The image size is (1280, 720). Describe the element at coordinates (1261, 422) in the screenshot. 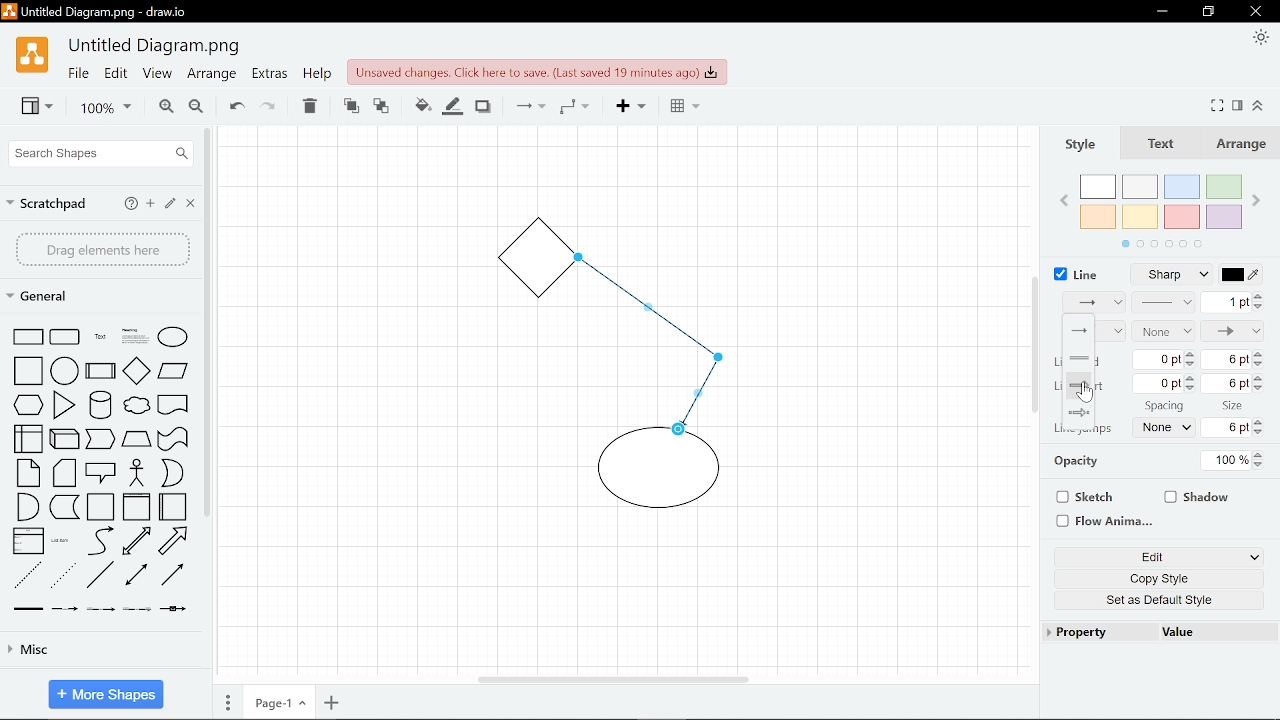

I see `Increase` at that location.